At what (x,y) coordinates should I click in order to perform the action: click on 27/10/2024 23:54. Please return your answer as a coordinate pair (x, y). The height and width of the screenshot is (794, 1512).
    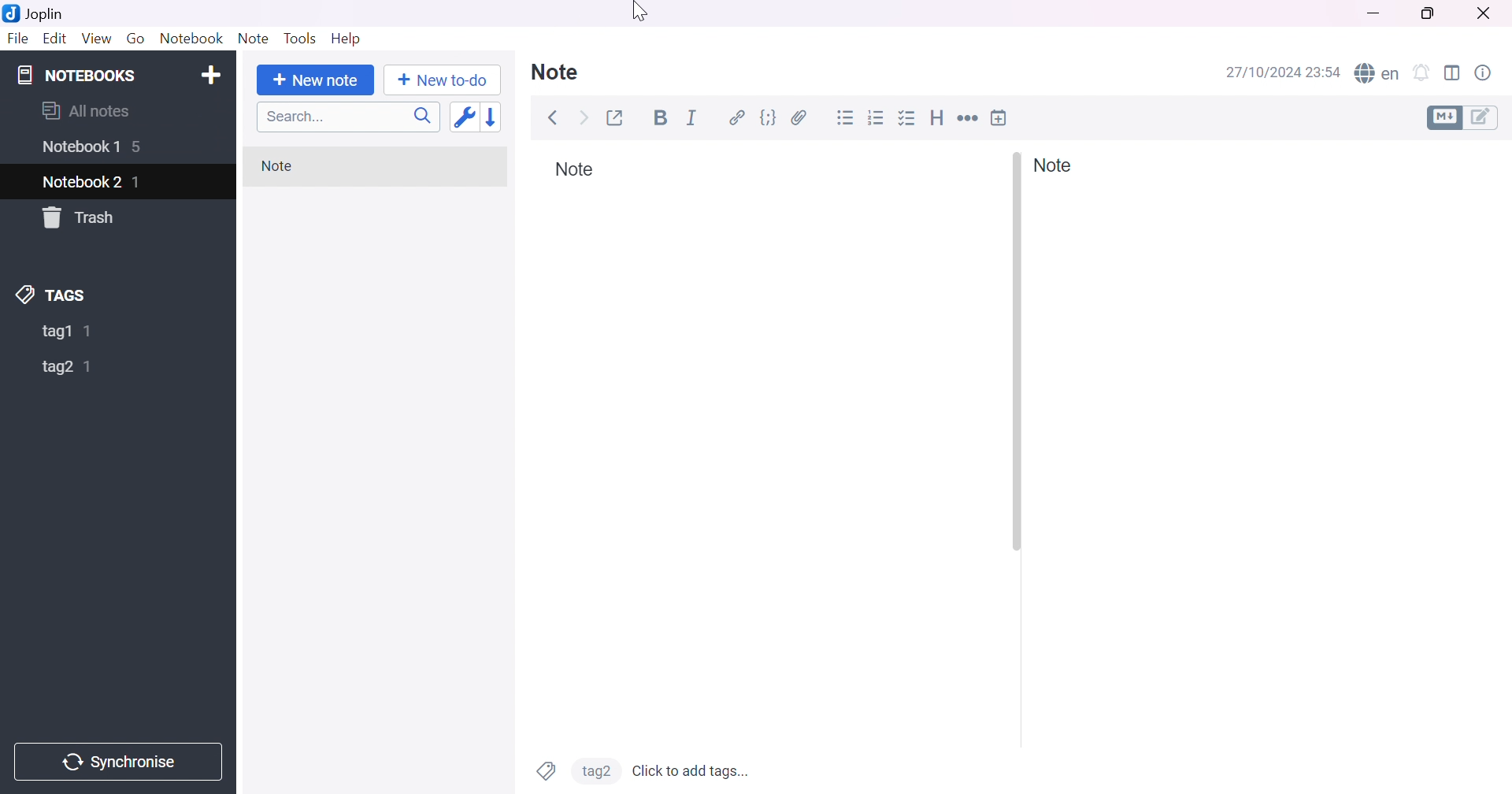
    Looking at the image, I should click on (1284, 72).